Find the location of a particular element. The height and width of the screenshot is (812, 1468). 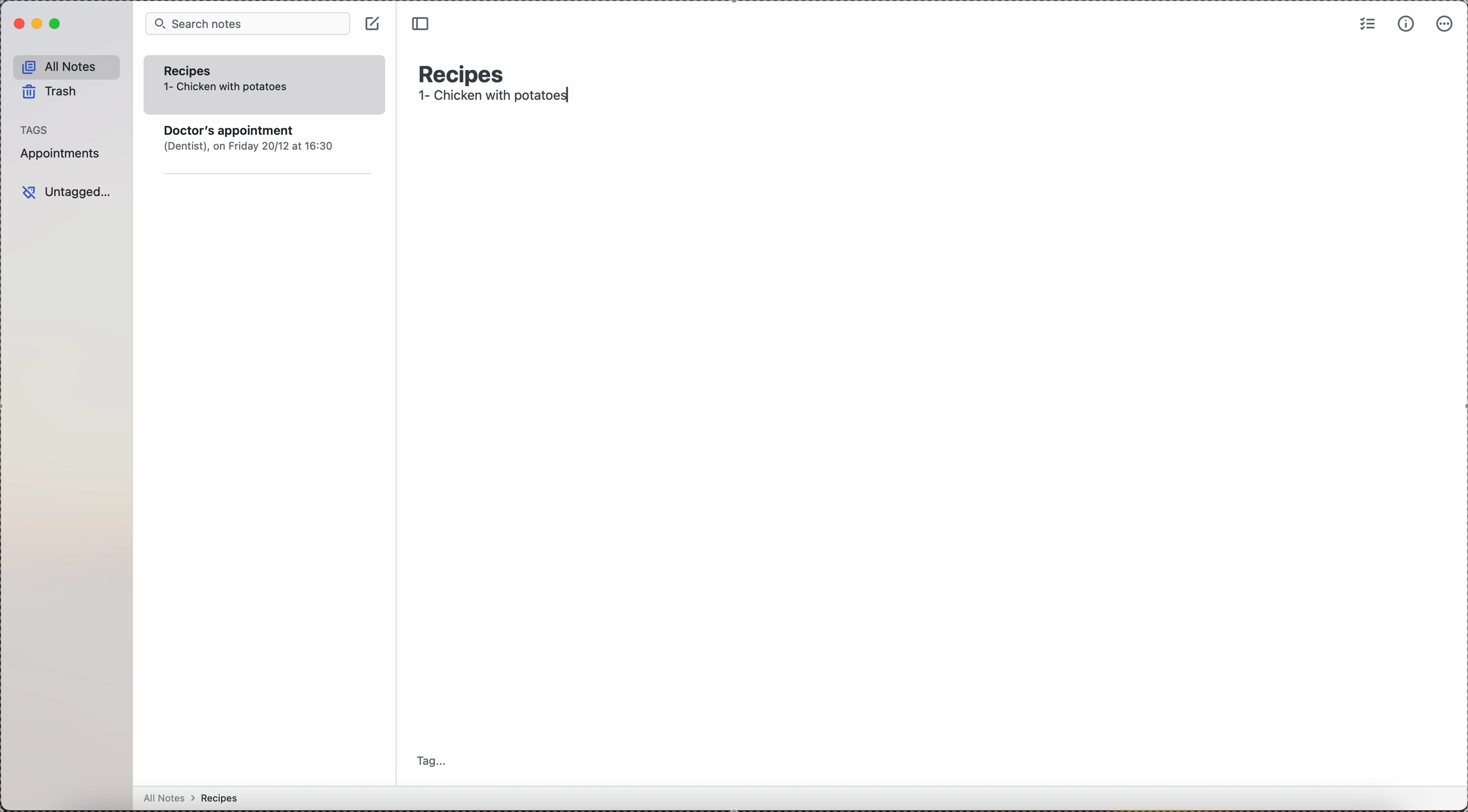

tags is located at coordinates (34, 128).